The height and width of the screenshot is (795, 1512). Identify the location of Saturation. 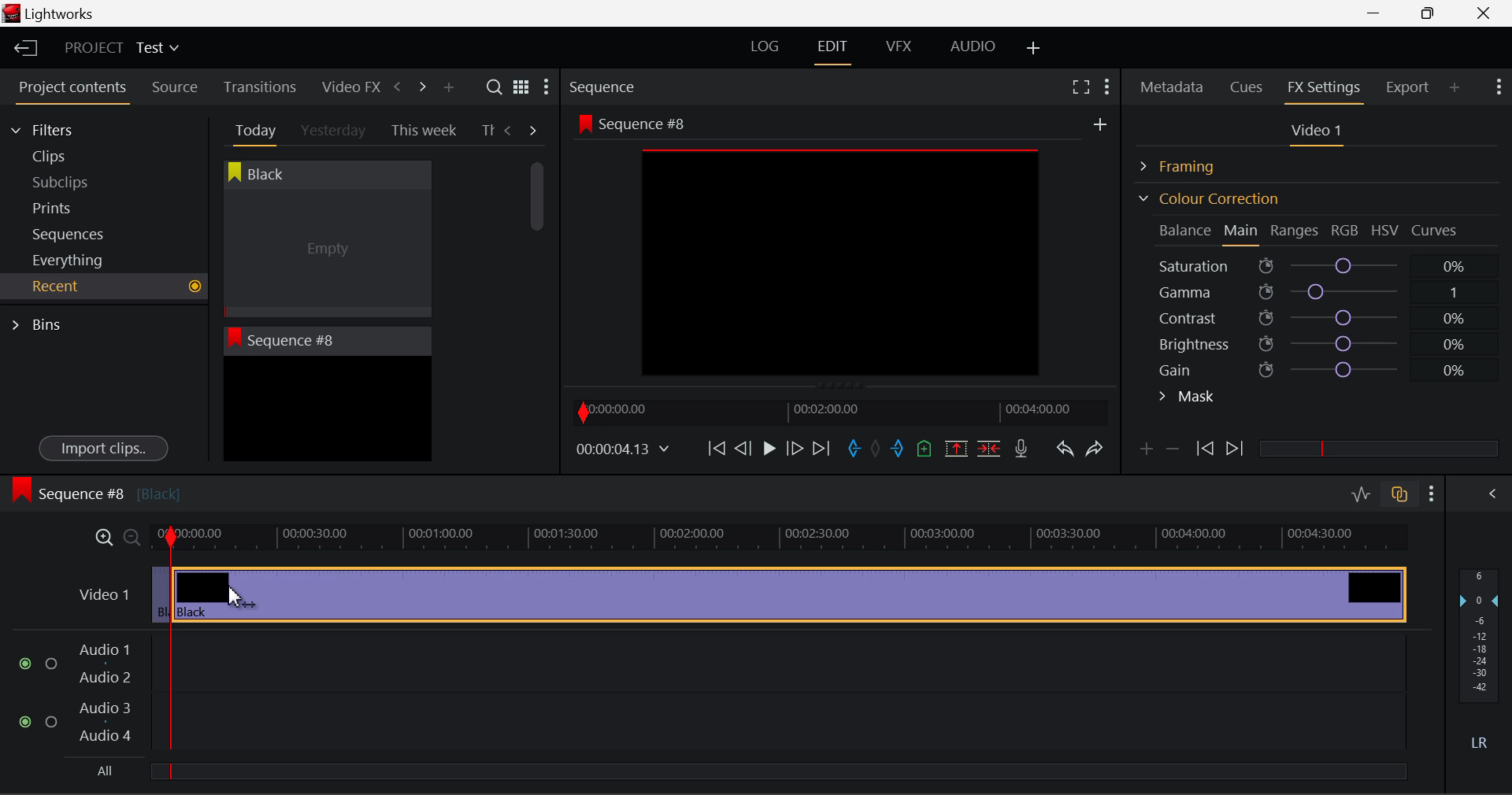
(1314, 263).